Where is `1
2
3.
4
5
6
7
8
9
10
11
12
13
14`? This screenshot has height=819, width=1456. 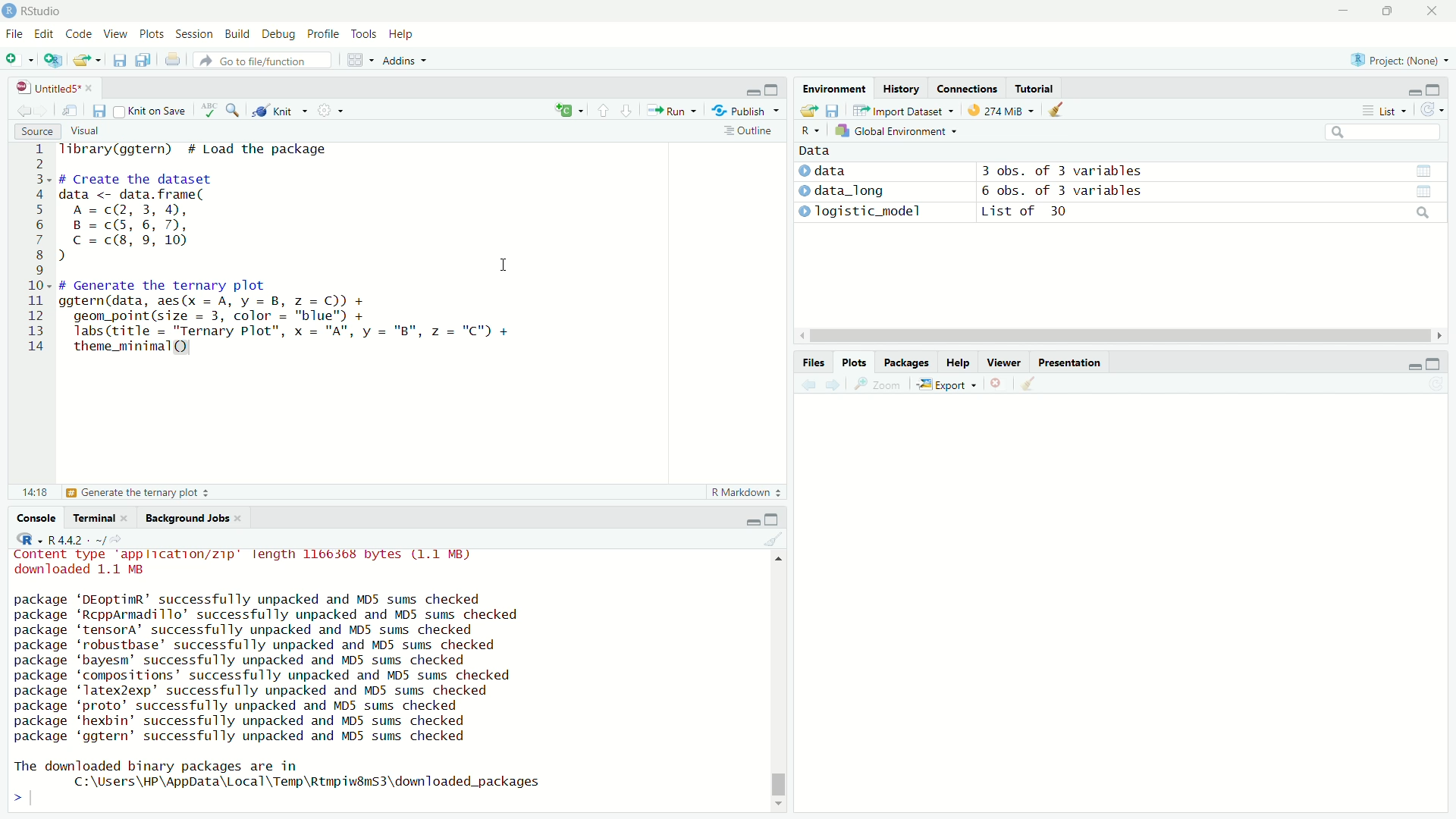 1
2
3.
4
5
6
7
8
9
10
11
12
13
14 is located at coordinates (39, 251).